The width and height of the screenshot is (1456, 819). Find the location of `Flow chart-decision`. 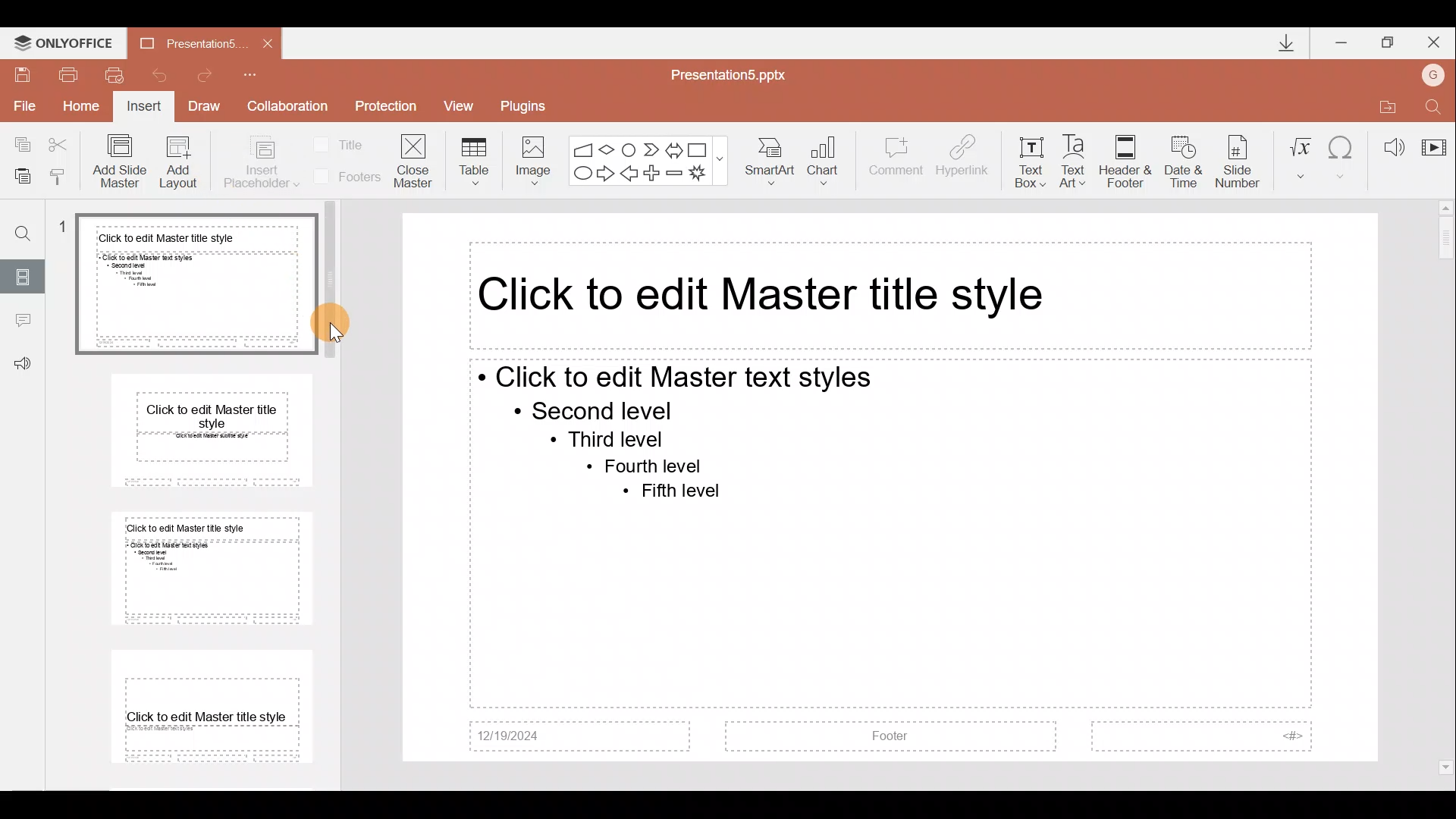

Flow chart-decision is located at coordinates (609, 149).